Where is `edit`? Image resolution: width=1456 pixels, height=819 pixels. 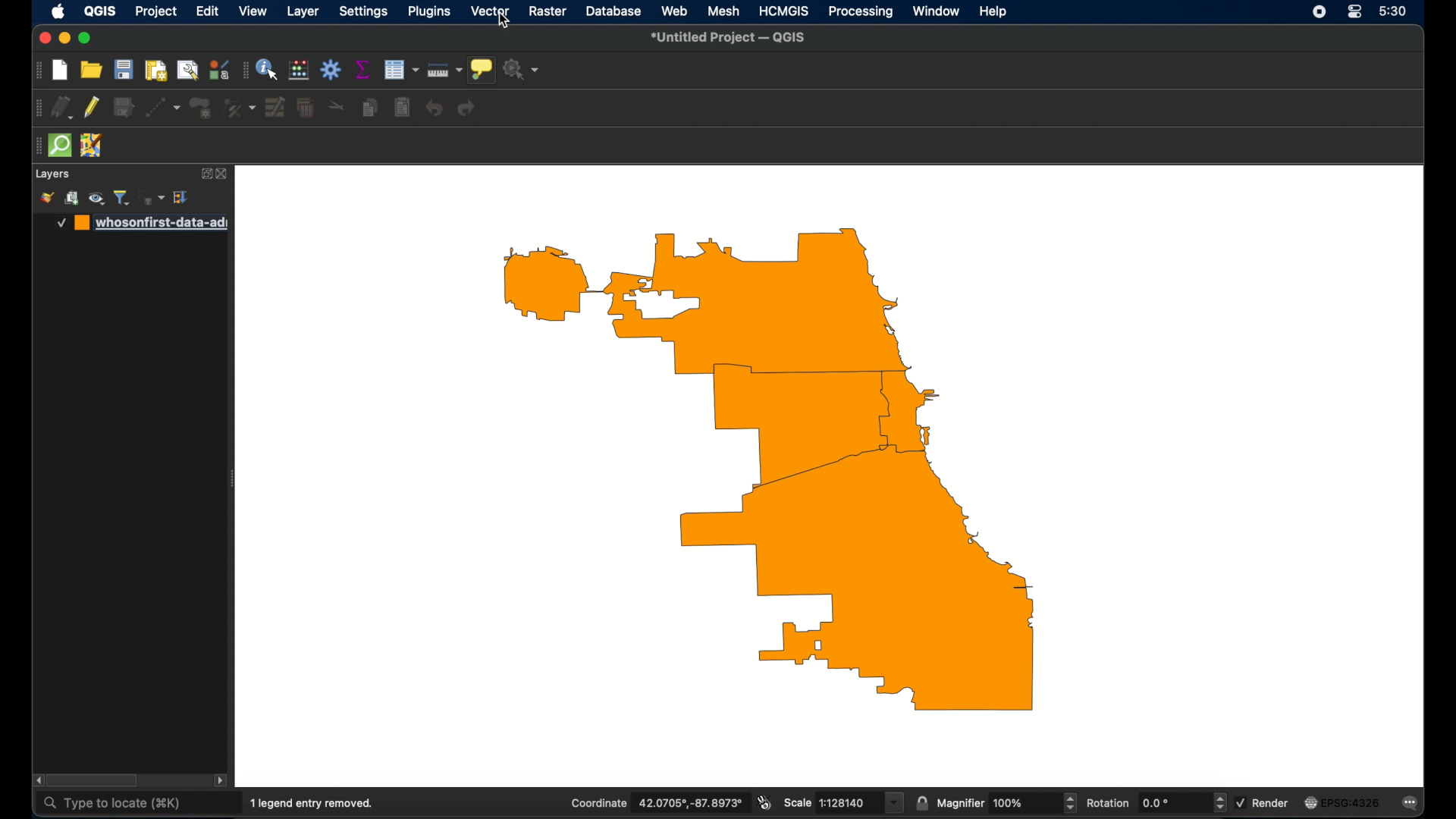
edit is located at coordinates (207, 11).